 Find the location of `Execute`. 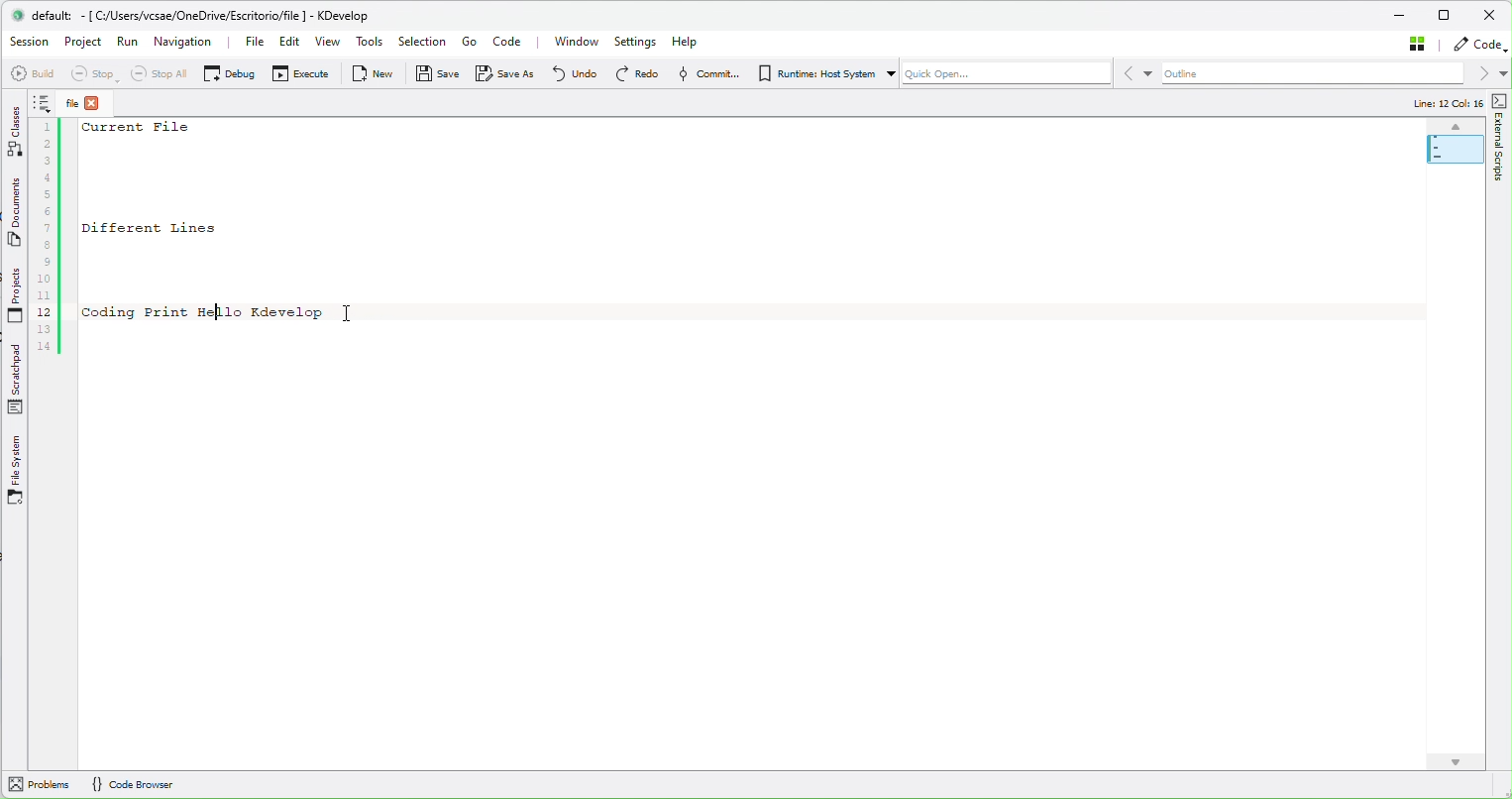

Execute is located at coordinates (297, 73).